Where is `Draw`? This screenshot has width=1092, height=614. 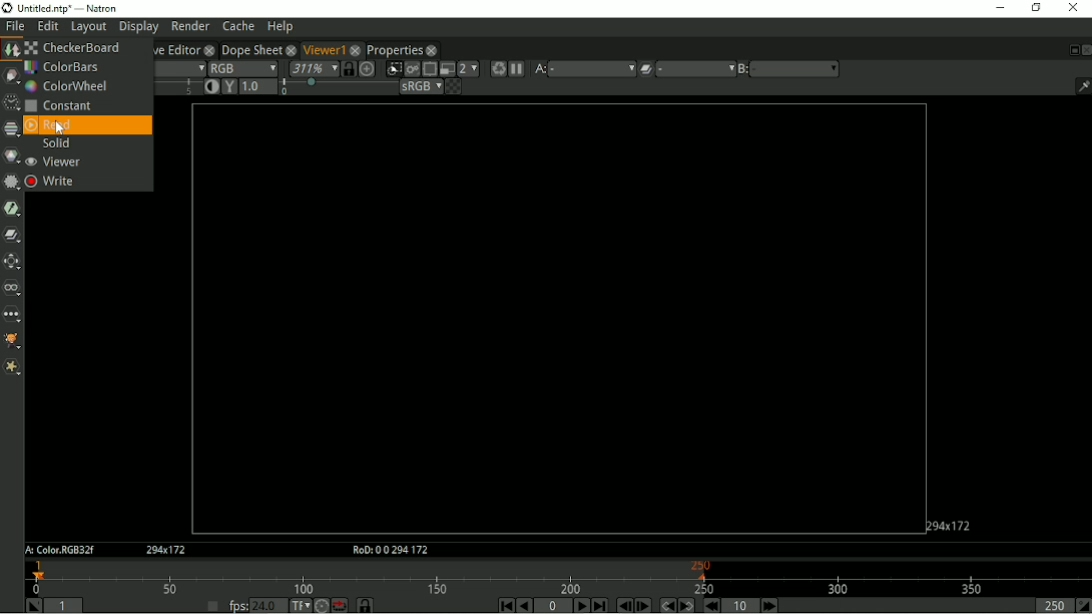 Draw is located at coordinates (11, 76).